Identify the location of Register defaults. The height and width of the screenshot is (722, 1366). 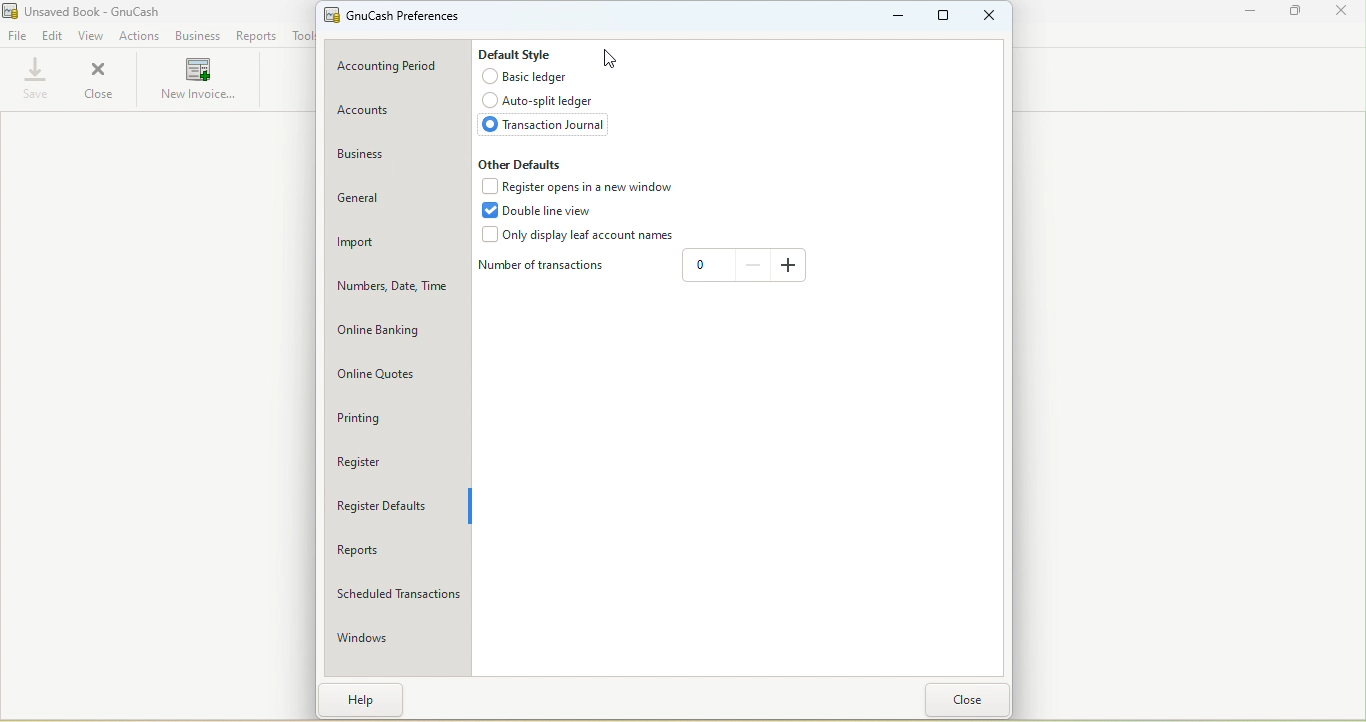
(392, 510).